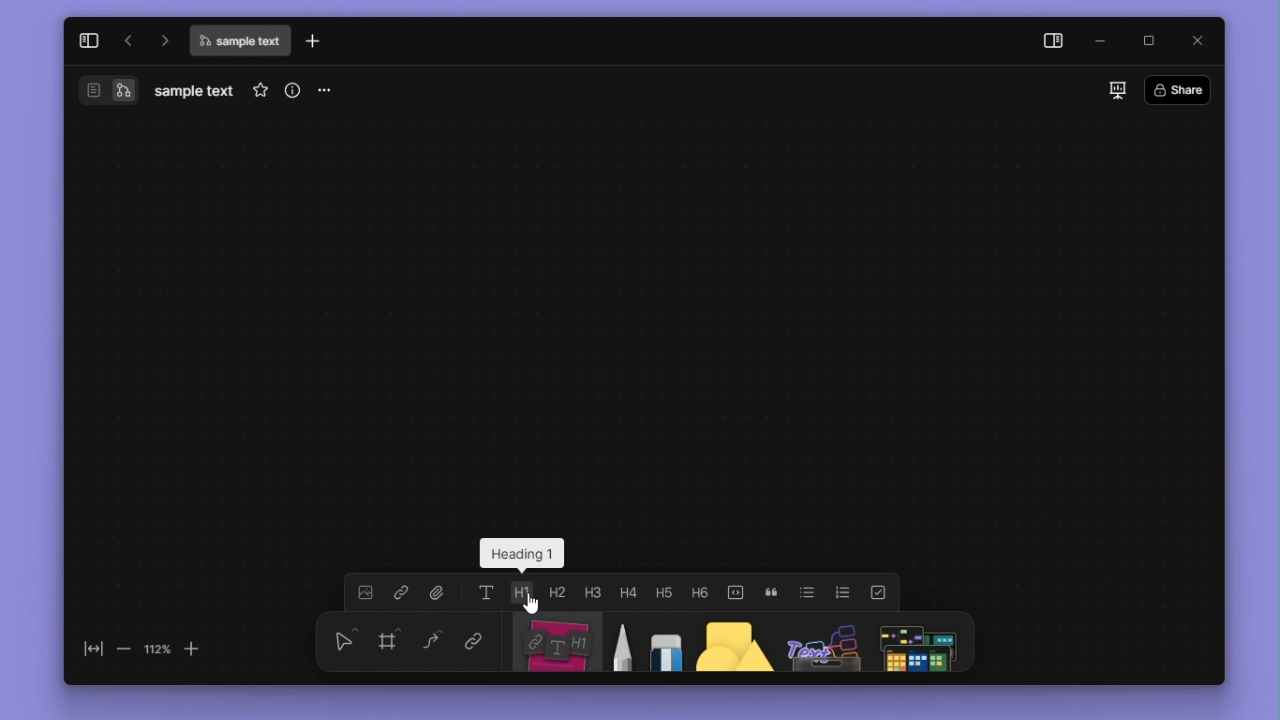 This screenshot has width=1280, height=720. What do you see at coordinates (521, 592) in the screenshot?
I see `Heading 1` at bounding box center [521, 592].